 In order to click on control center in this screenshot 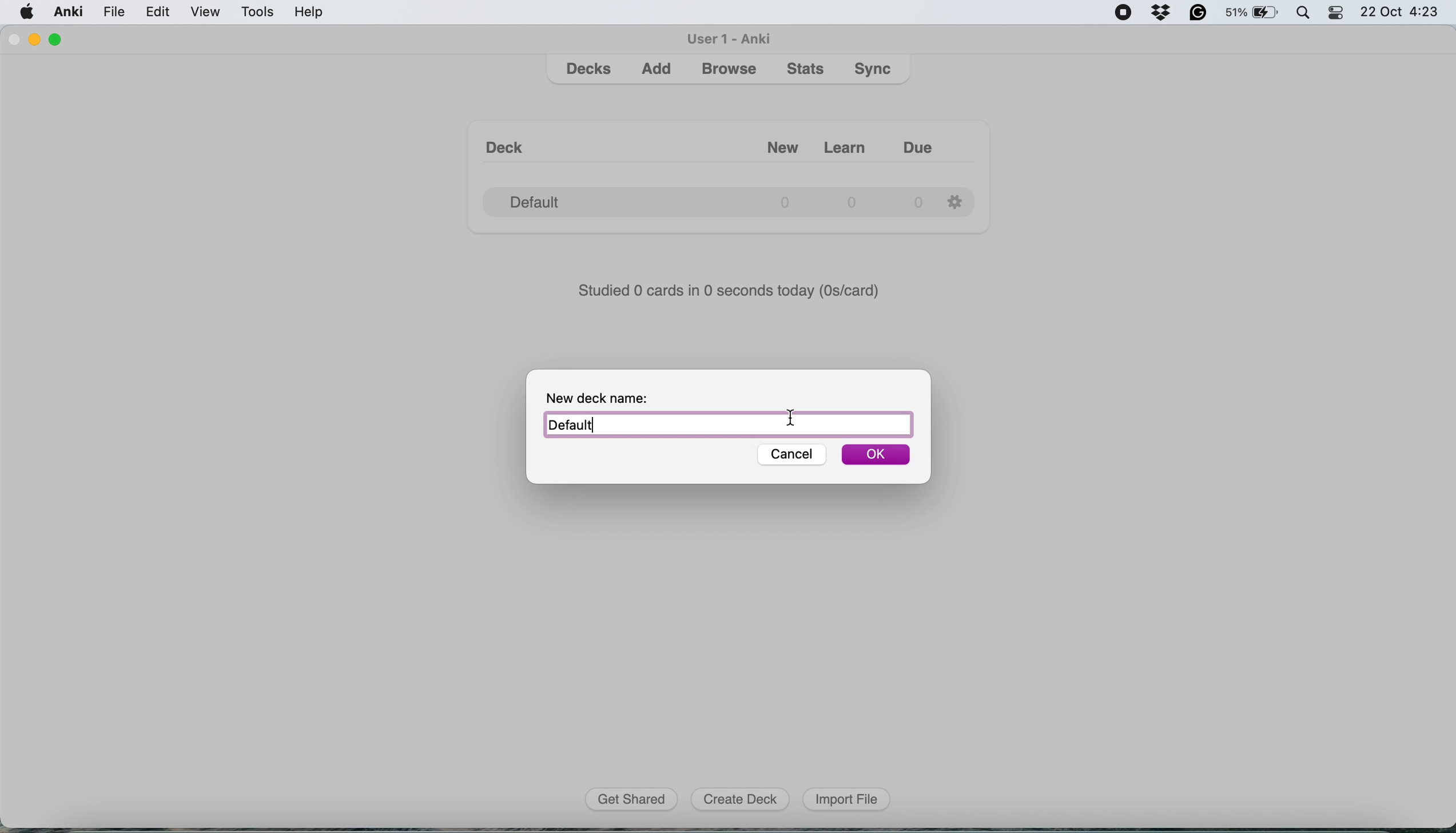, I will do `click(1339, 15)`.